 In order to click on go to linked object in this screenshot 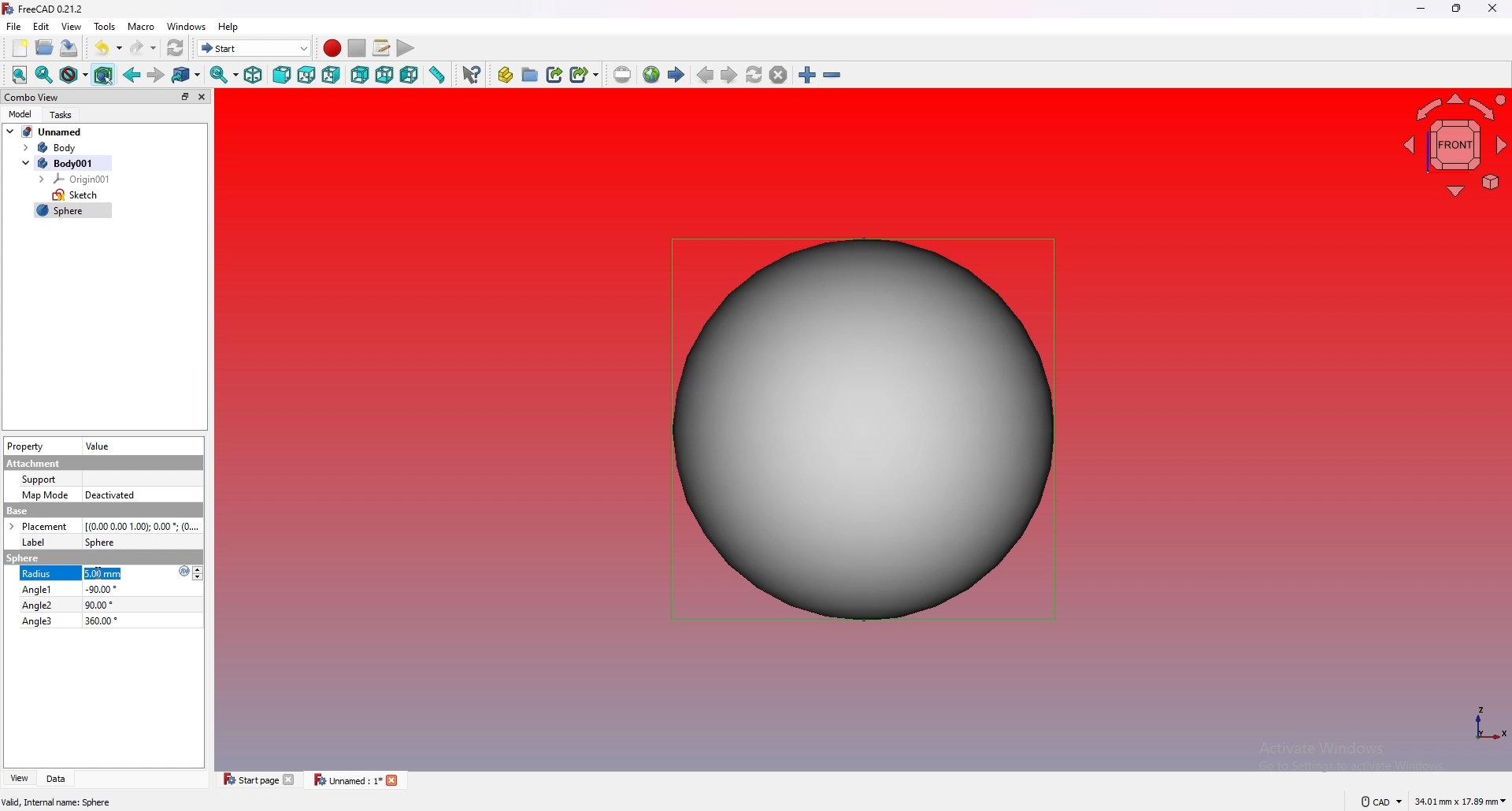, I will do `click(187, 76)`.